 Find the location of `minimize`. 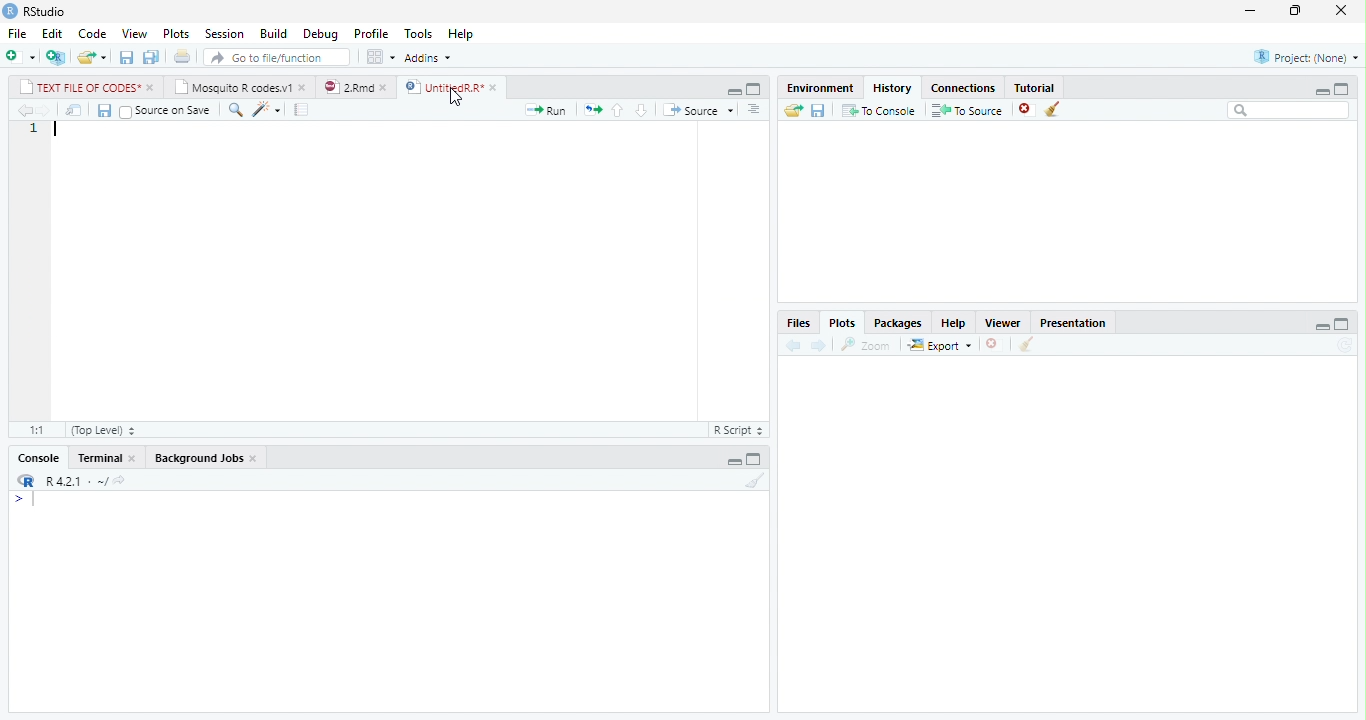

minimize is located at coordinates (1323, 327).